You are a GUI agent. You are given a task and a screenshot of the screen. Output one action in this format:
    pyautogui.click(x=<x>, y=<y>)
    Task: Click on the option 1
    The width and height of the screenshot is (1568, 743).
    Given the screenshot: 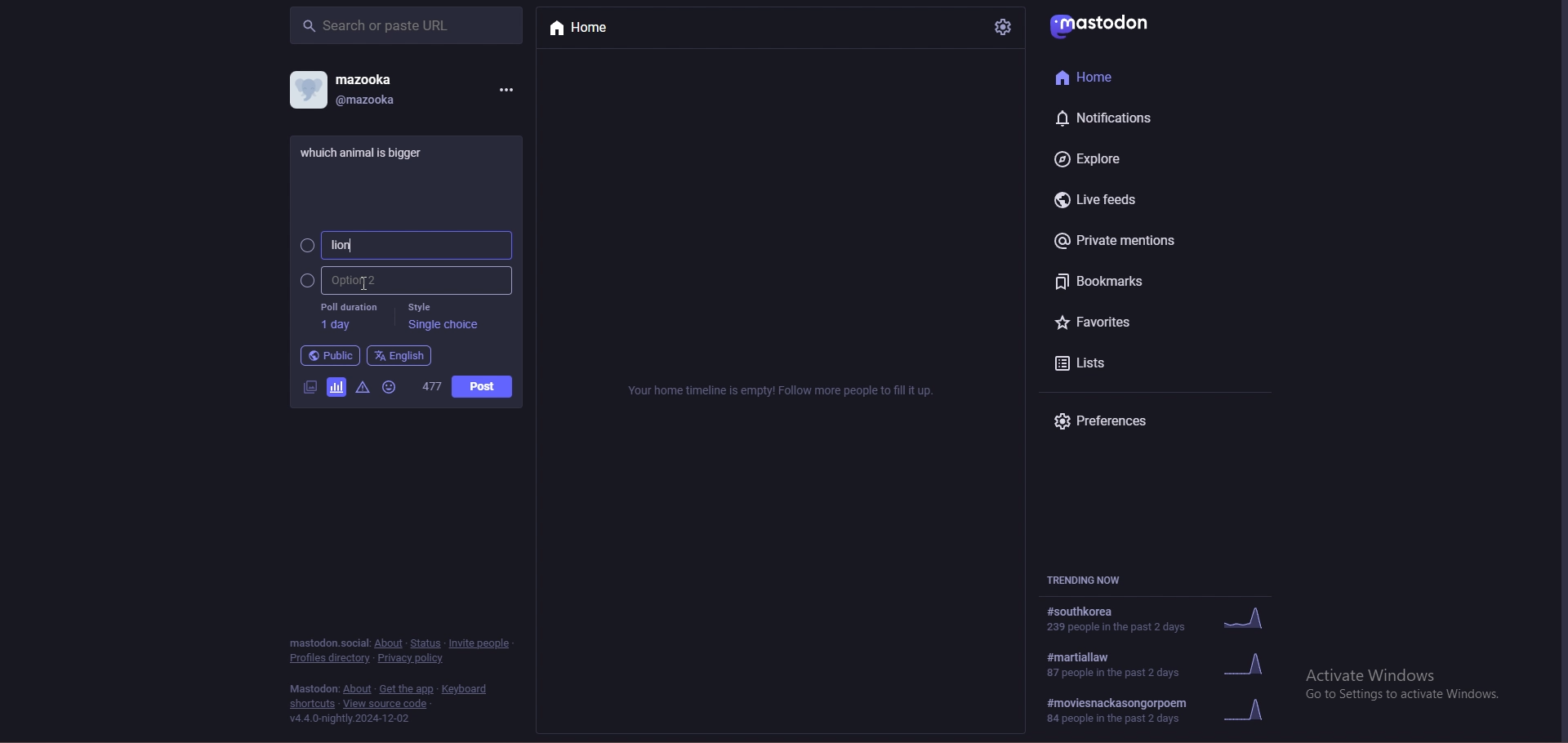 What is the action you would take?
    pyautogui.click(x=404, y=245)
    